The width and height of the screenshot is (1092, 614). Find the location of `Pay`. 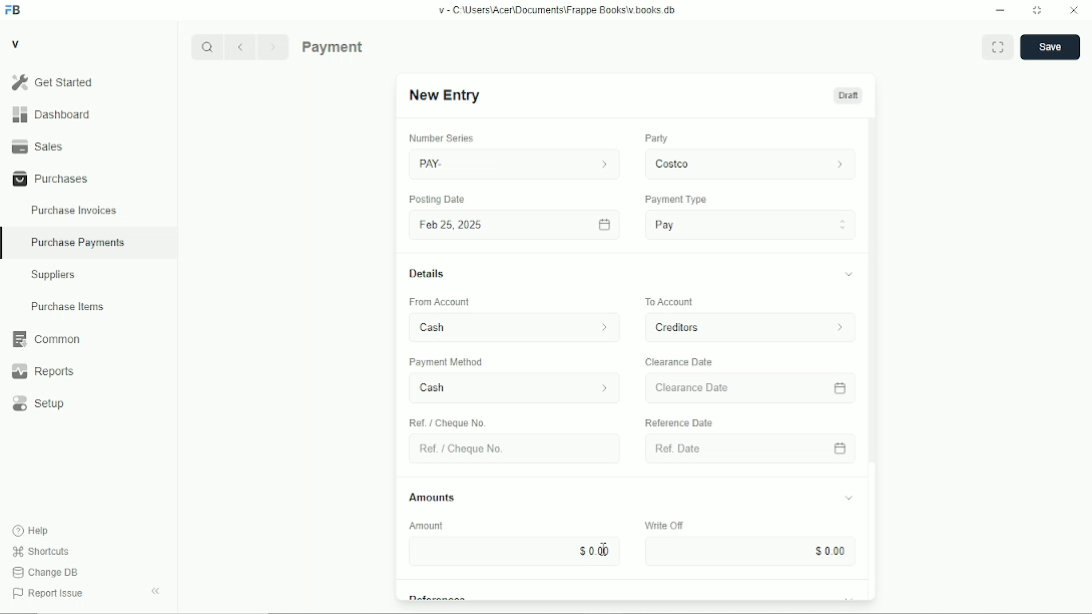

Pay is located at coordinates (750, 226).